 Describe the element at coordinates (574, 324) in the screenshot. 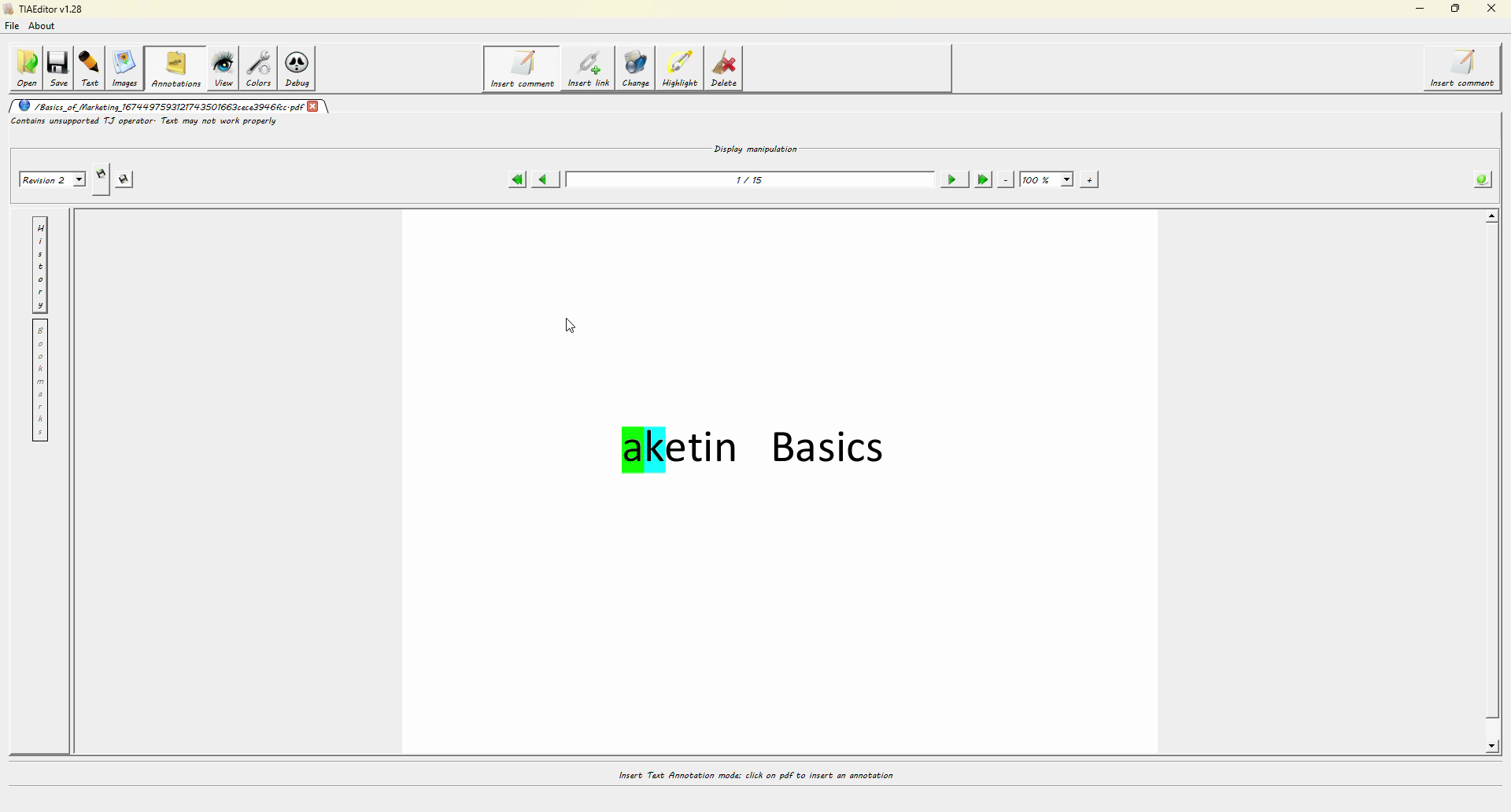

I see `cursor` at that location.